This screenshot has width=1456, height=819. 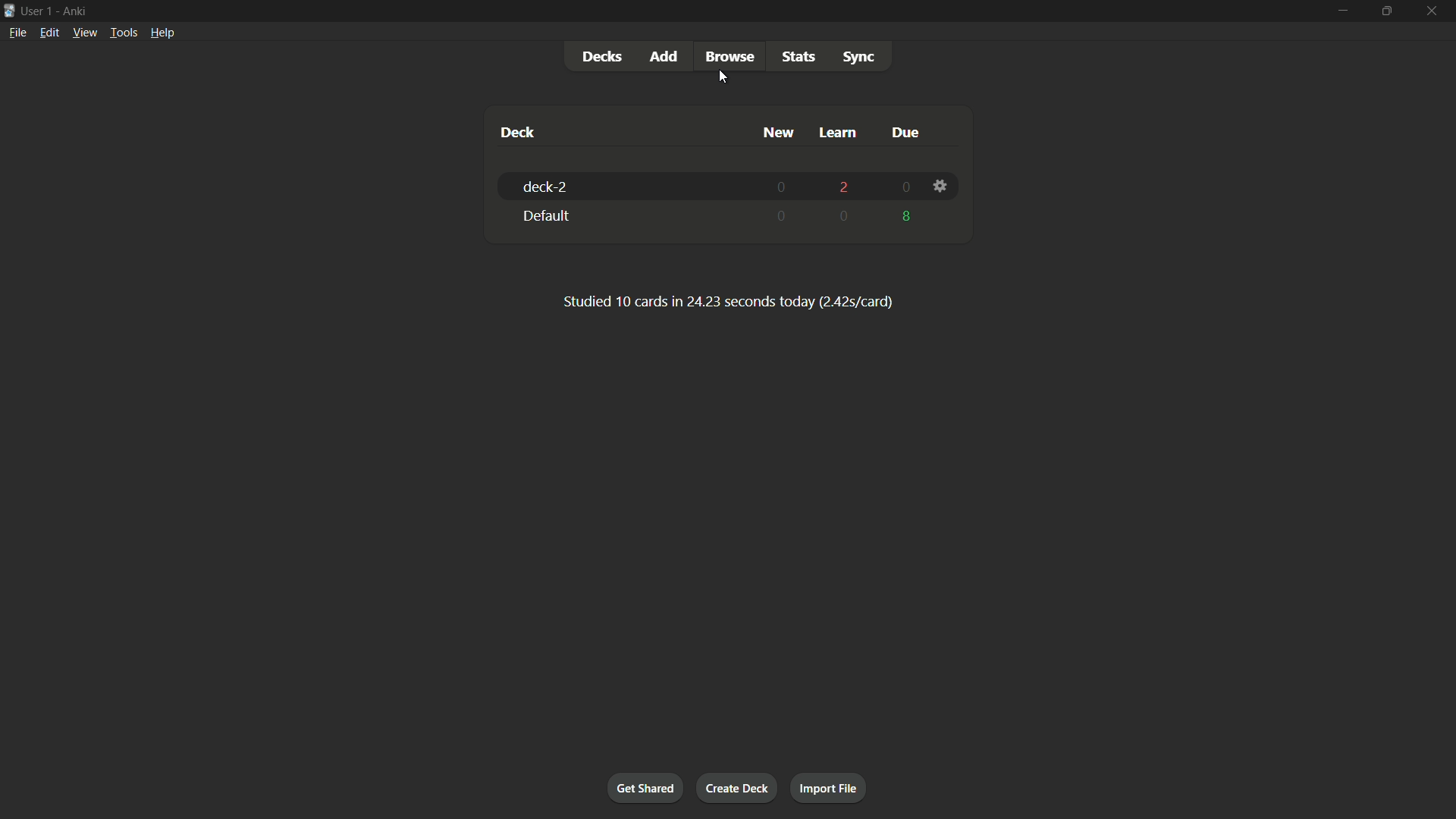 What do you see at coordinates (780, 133) in the screenshot?
I see `New` at bounding box center [780, 133].